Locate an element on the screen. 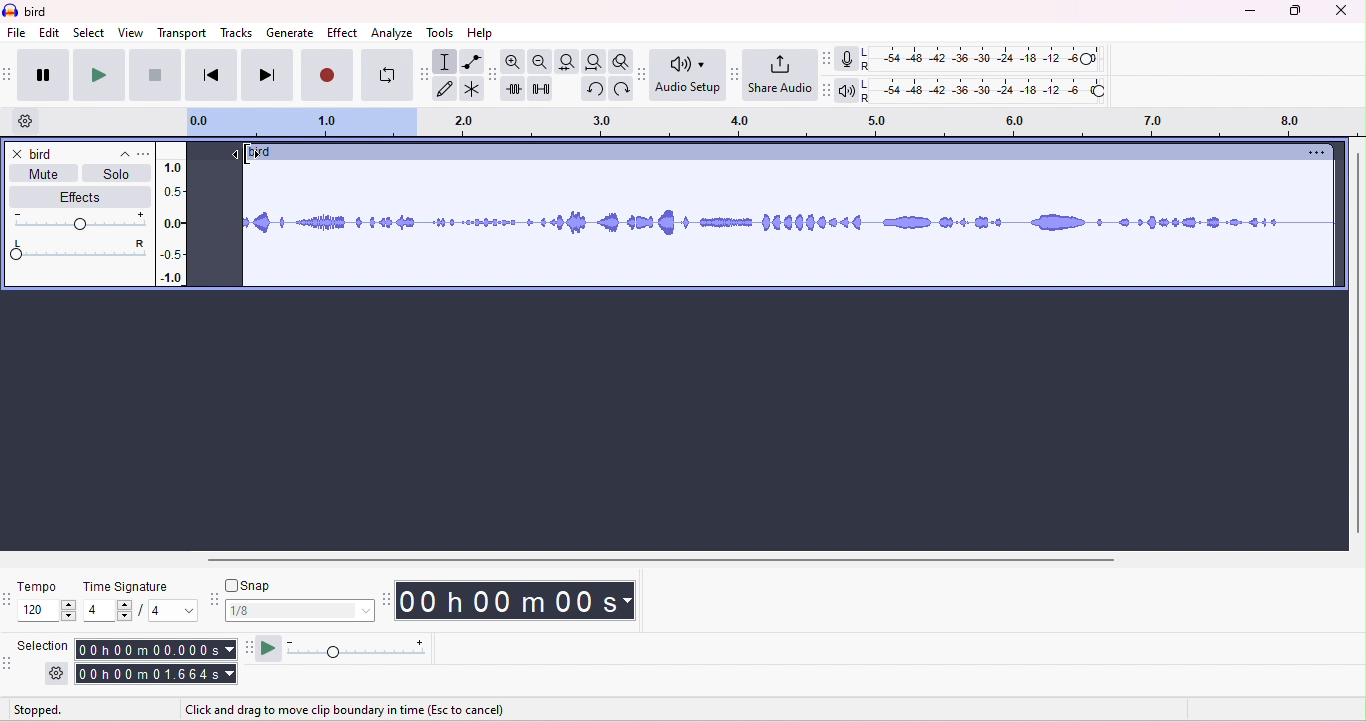  select is located at coordinates (90, 32).